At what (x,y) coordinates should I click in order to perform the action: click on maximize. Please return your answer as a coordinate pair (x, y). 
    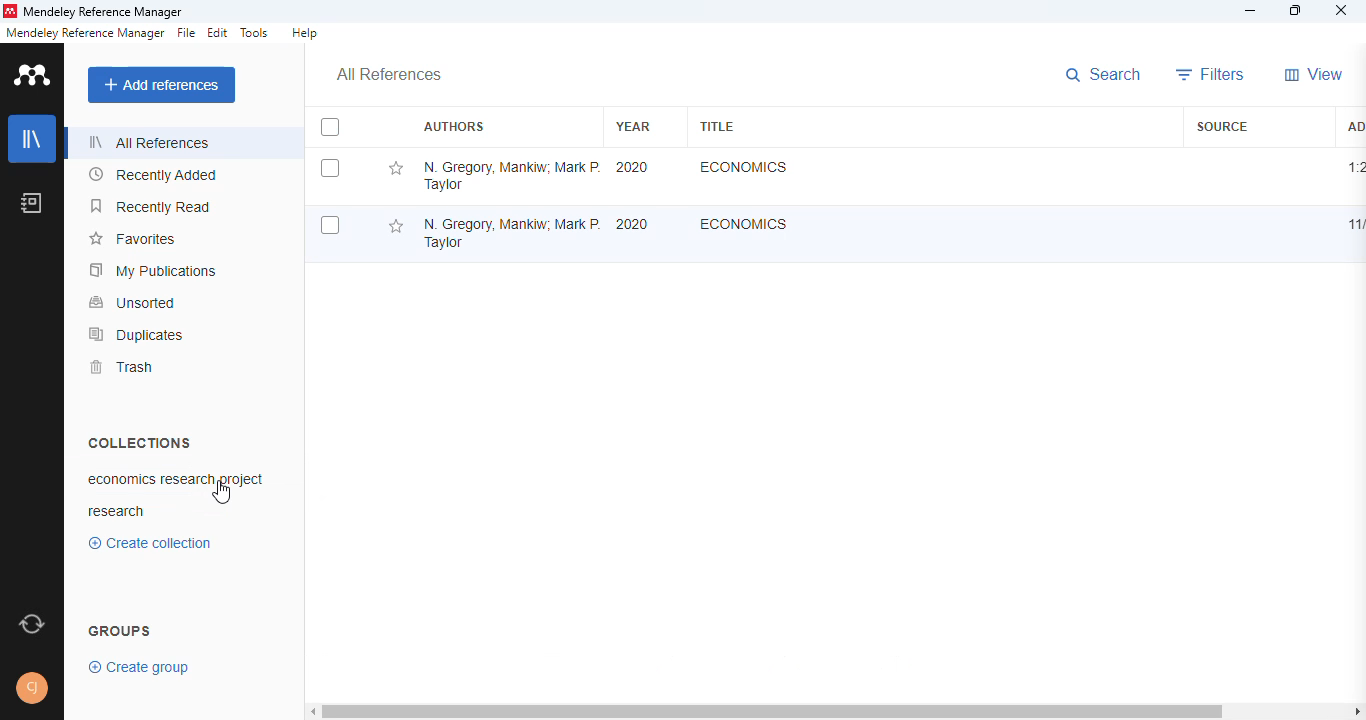
    Looking at the image, I should click on (1298, 11).